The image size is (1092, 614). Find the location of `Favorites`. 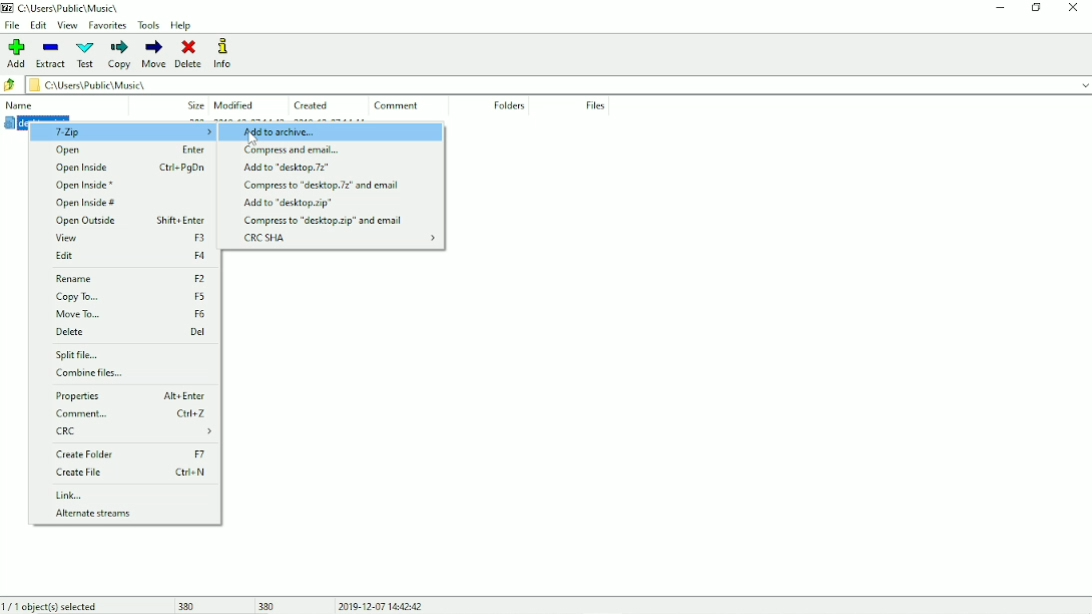

Favorites is located at coordinates (108, 25).